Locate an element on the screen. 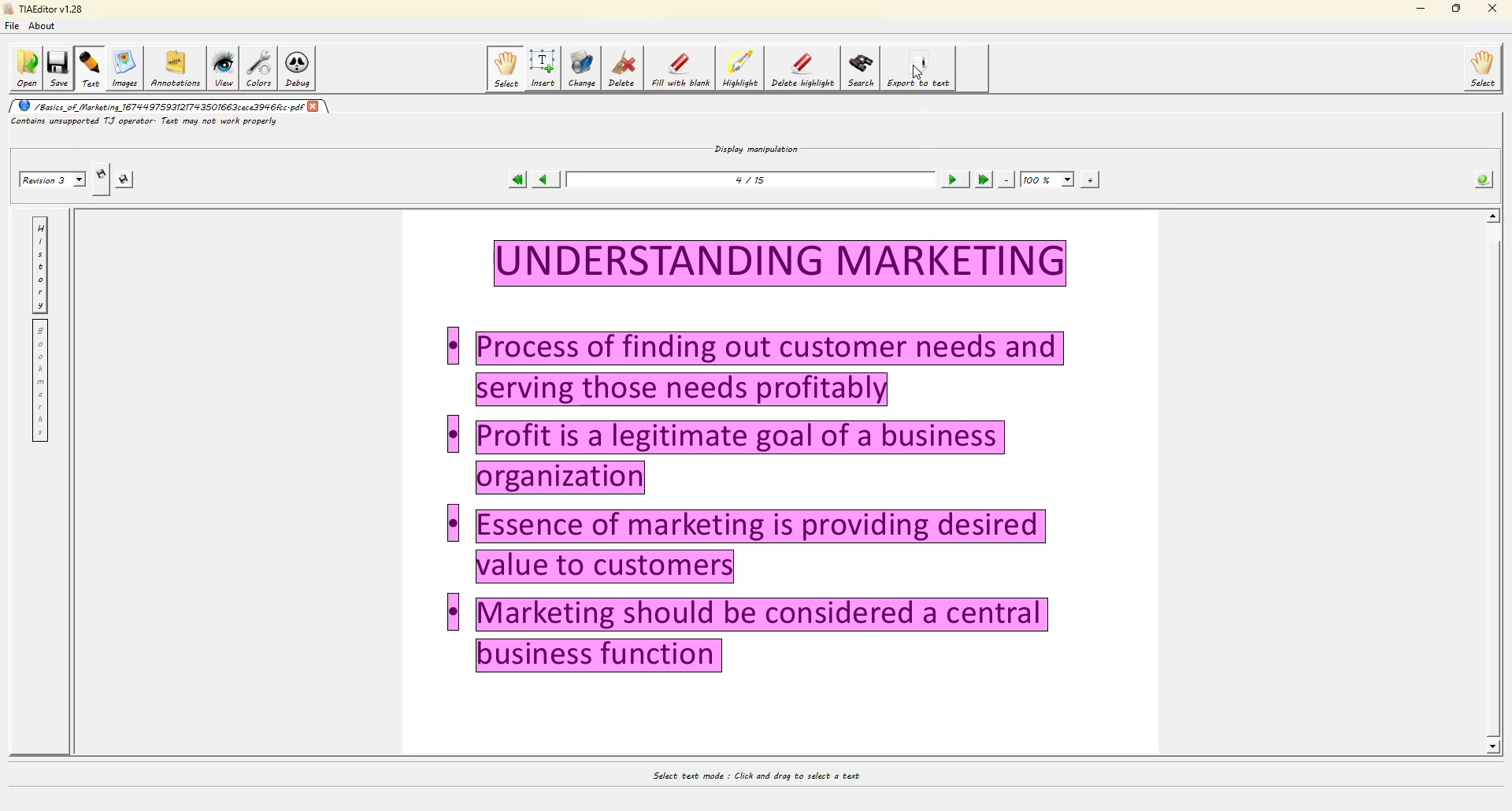 The width and height of the screenshot is (1512, 811). select is located at coordinates (1480, 67).